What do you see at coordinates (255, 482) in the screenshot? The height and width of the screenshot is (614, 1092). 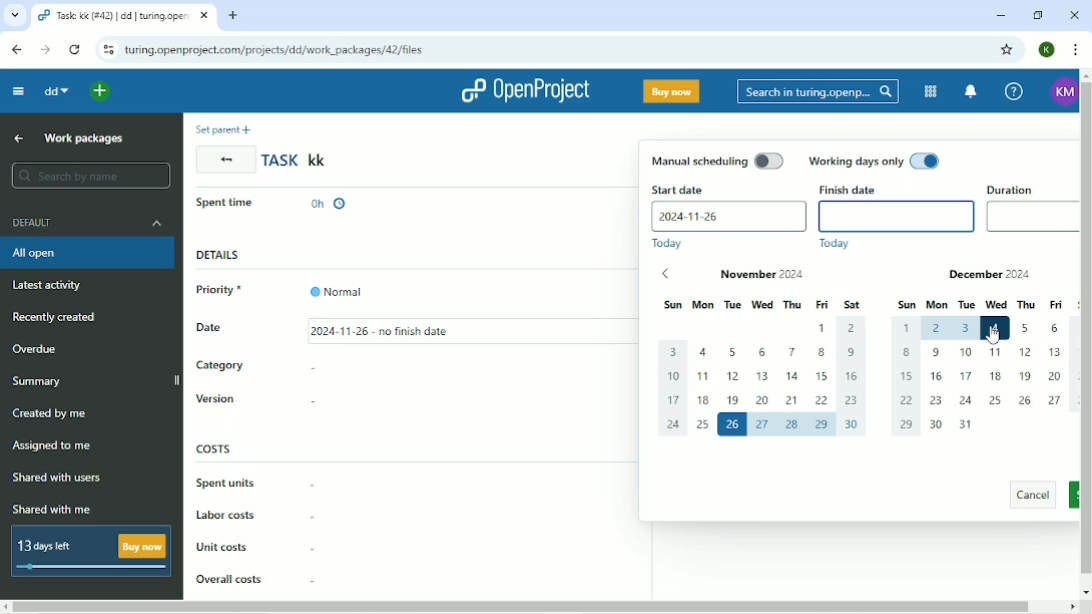 I see `Spent units` at bounding box center [255, 482].